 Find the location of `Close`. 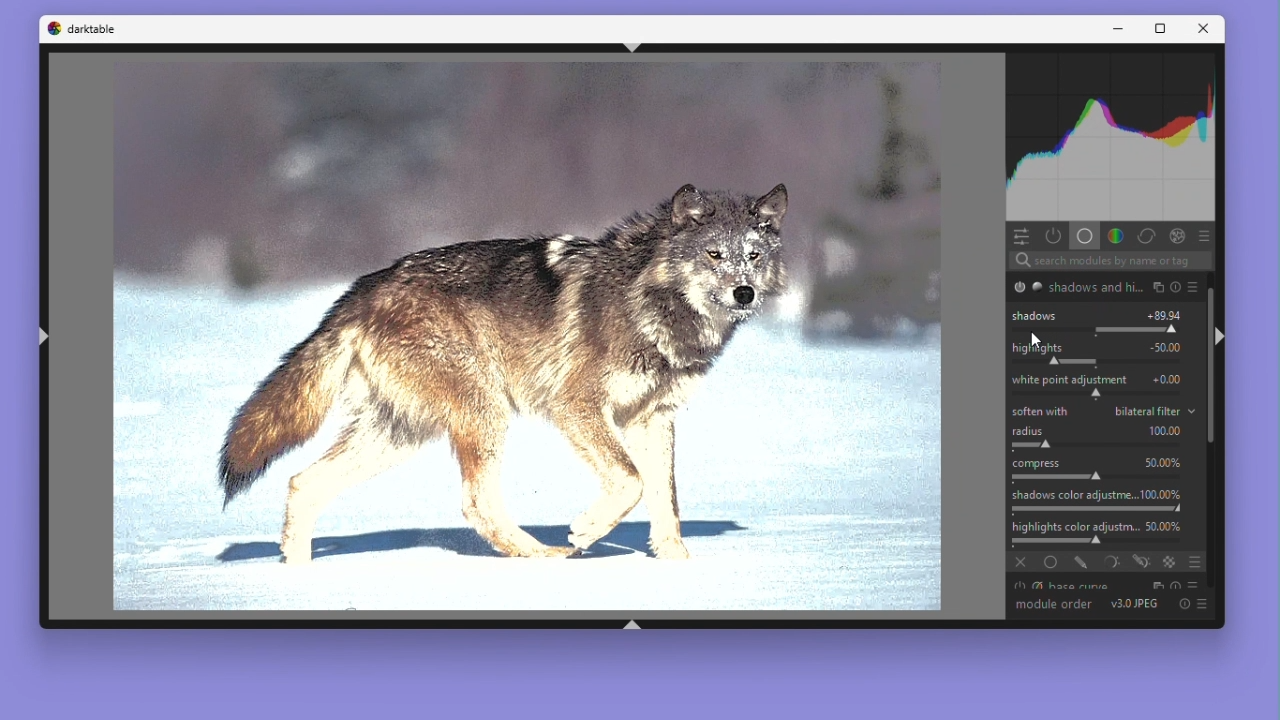

Close is located at coordinates (1202, 30).